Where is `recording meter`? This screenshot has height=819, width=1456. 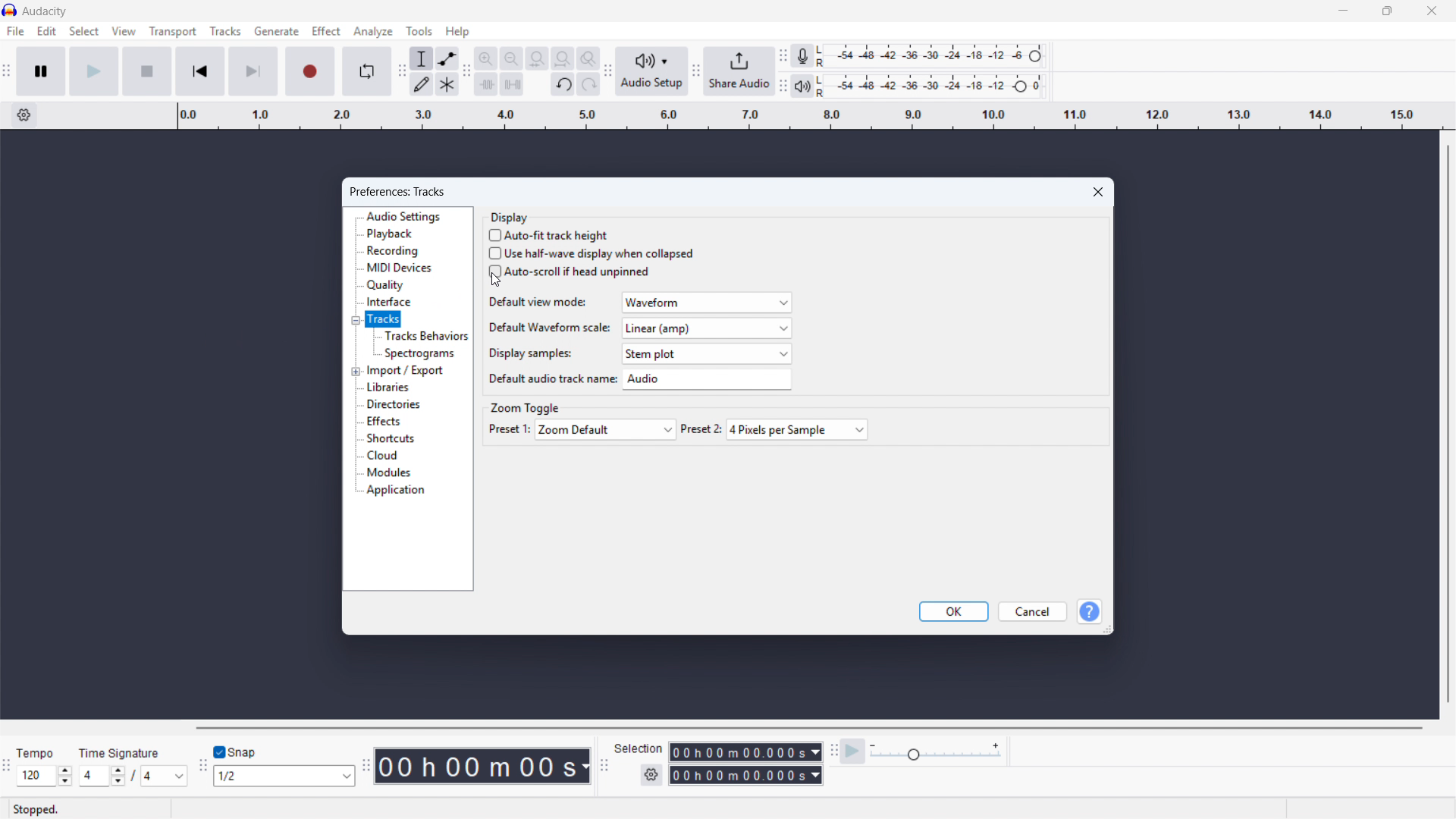 recording meter is located at coordinates (803, 55).